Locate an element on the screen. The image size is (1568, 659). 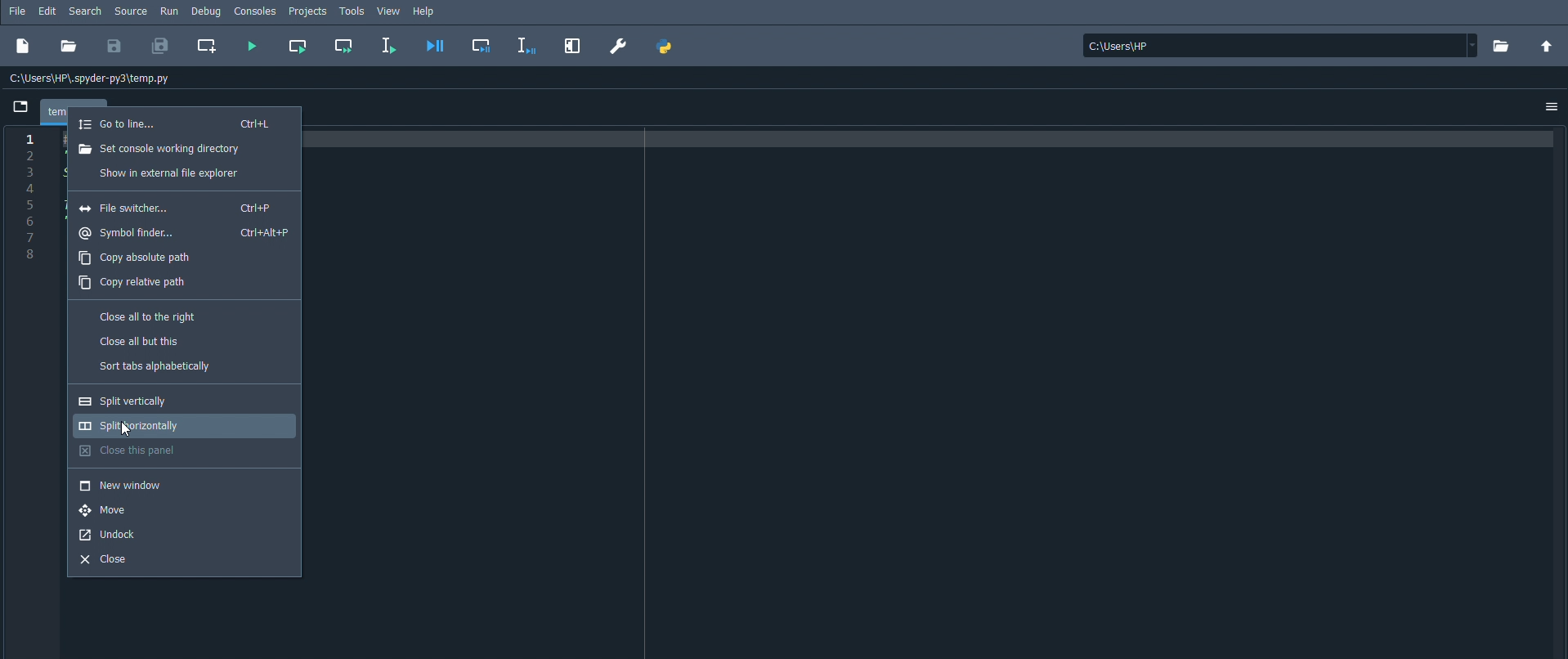
Help is located at coordinates (424, 12).